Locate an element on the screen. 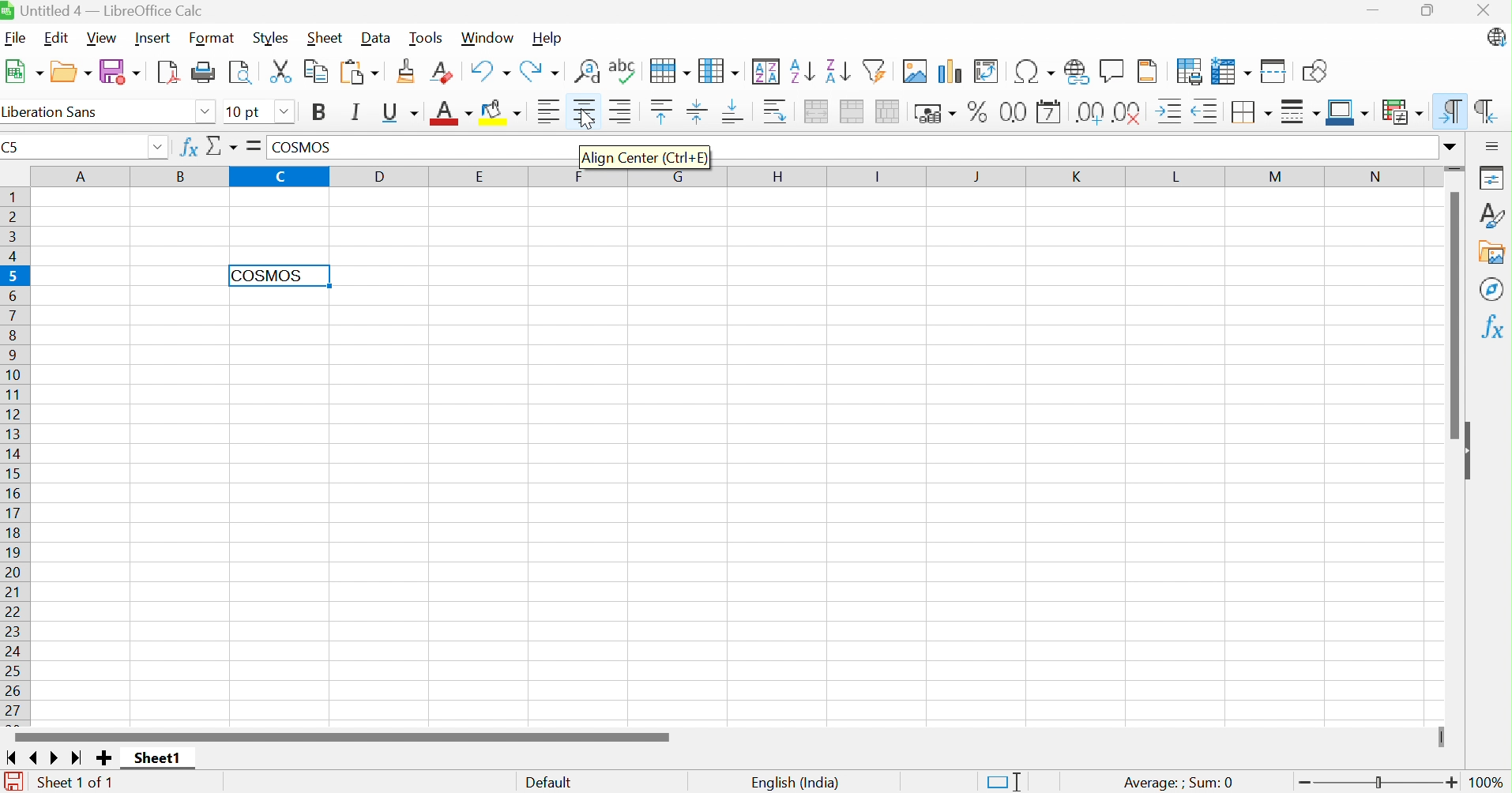 Image resolution: width=1512 pixels, height=793 pixels. Select Function is located at coordinates (220, 145).